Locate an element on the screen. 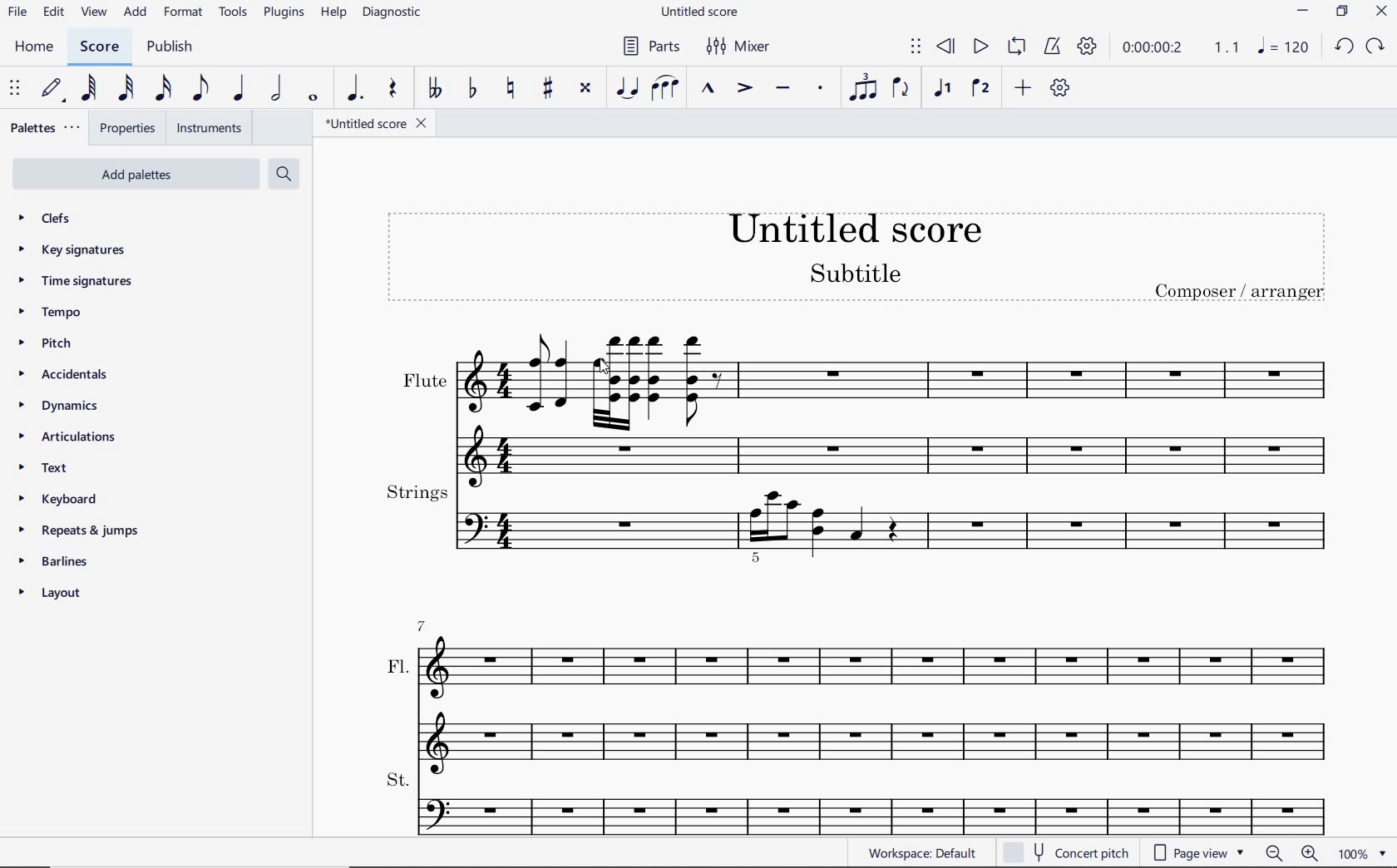  DEFAULT (STEP TIME) is located at coordinates (52, 88).